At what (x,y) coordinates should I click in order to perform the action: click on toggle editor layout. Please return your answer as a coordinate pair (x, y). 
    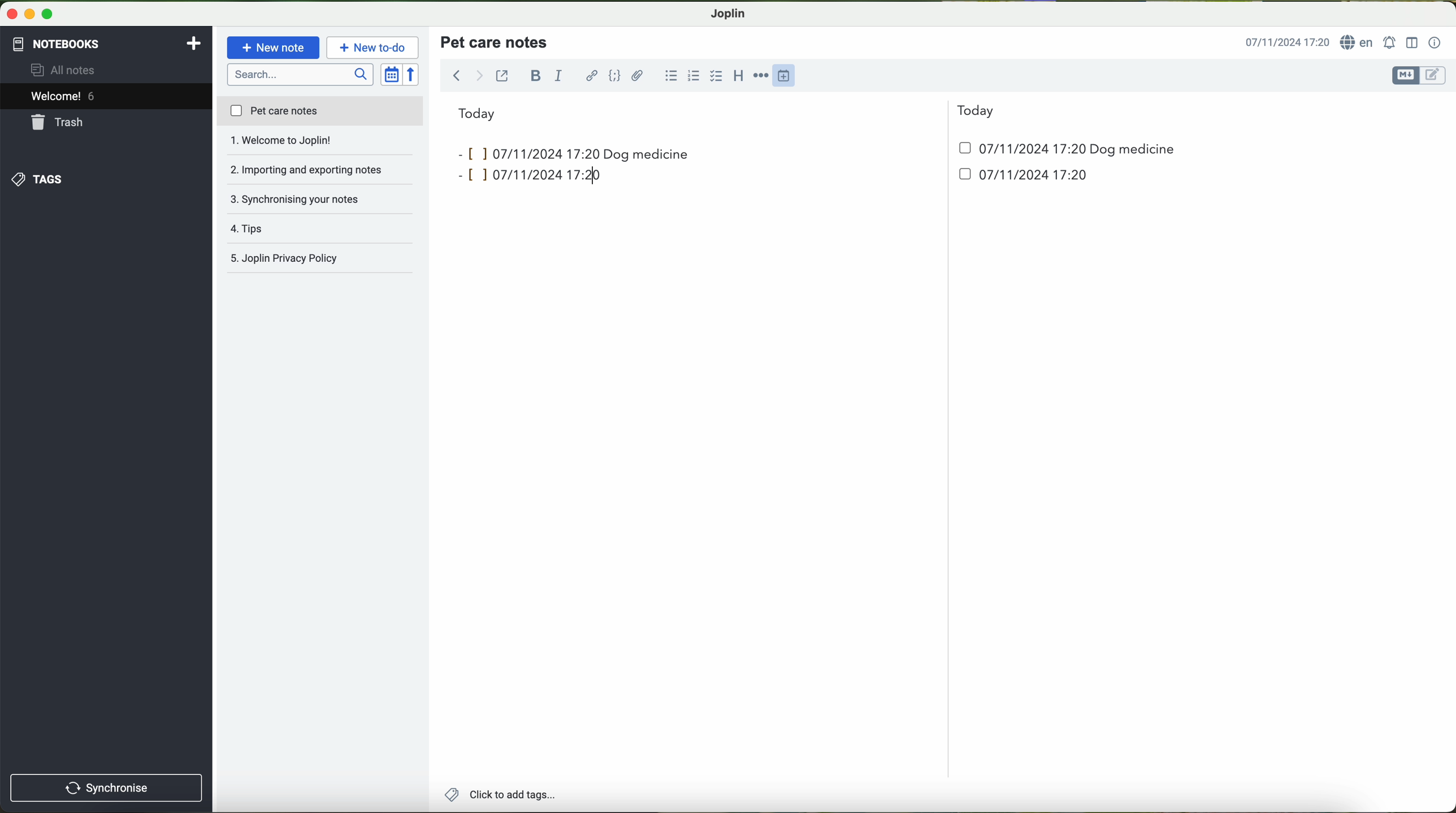
    Looking at the image, I should click on (1412, 42).